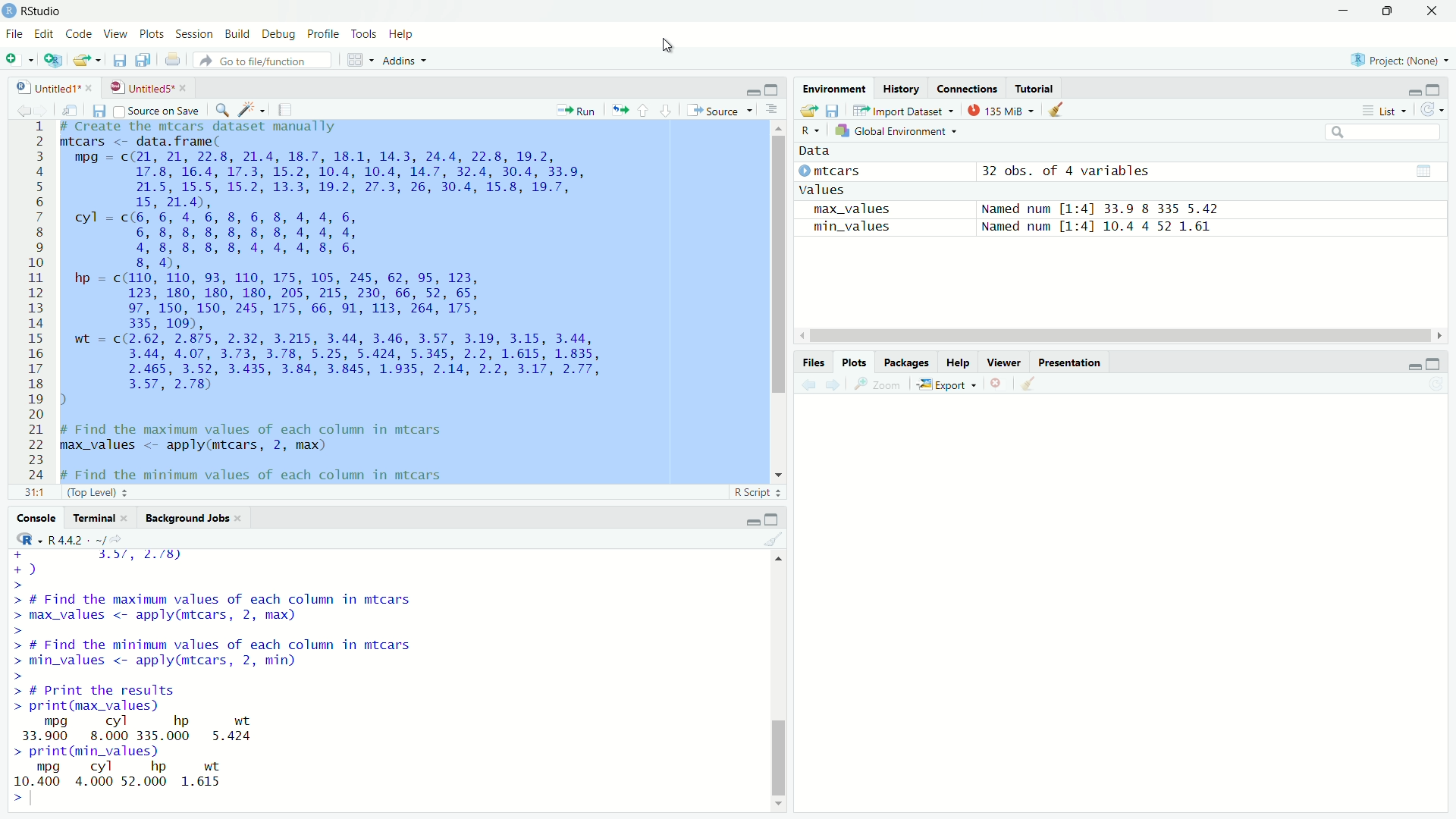  What do you see at coordinates (807, 112) in the screenshot?
I see `move` at bounding box center [807, 112].